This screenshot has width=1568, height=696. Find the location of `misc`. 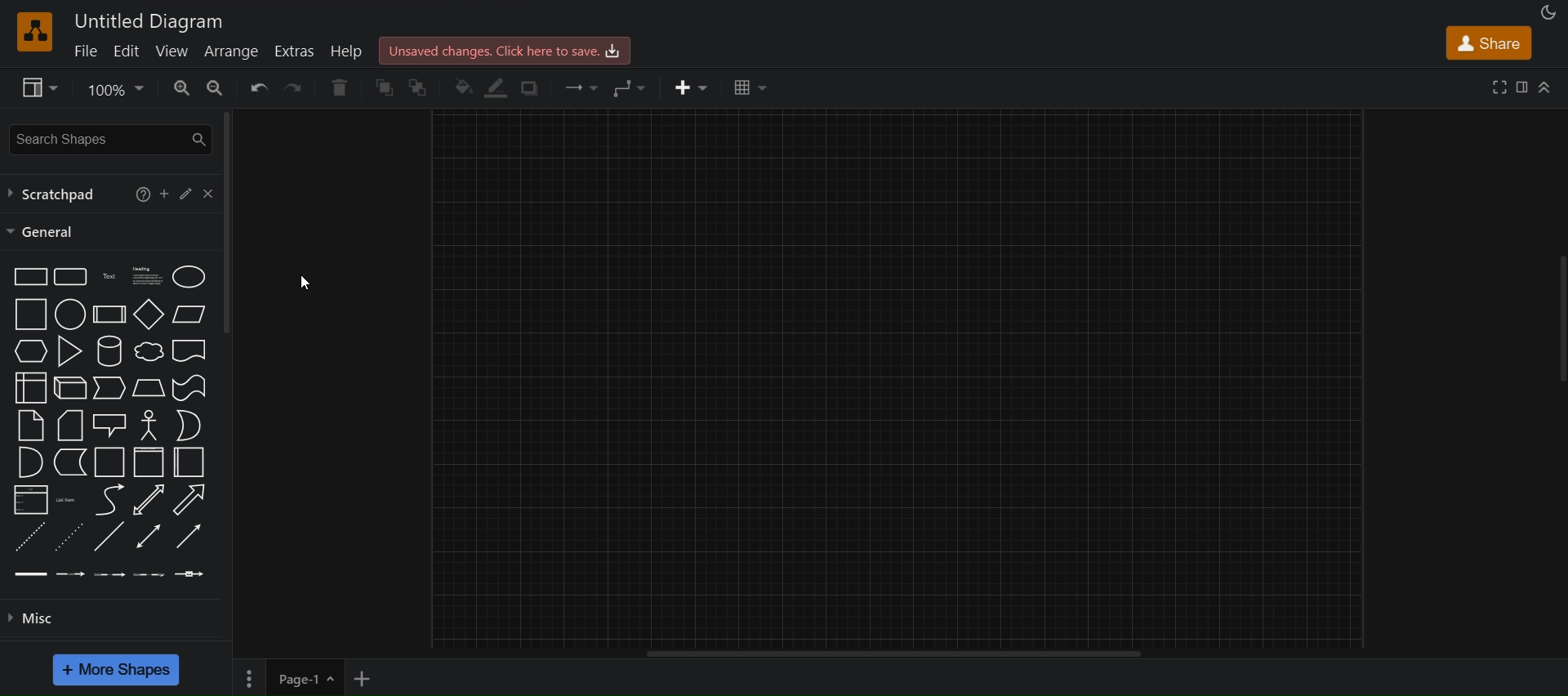

misc is located at coordinates (114, 621).